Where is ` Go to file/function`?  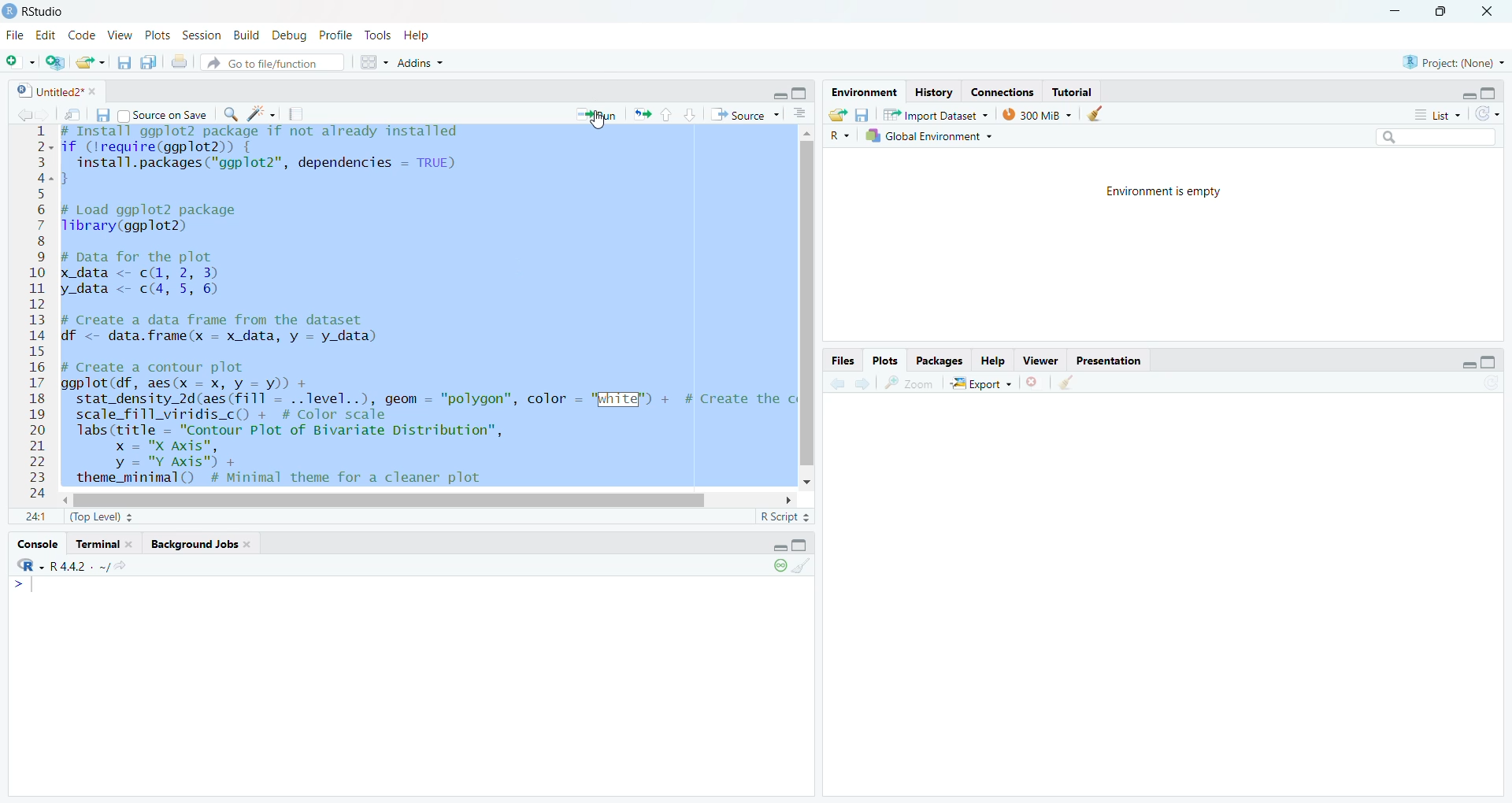
 Go to file/function is located at coordinates (270, 62).